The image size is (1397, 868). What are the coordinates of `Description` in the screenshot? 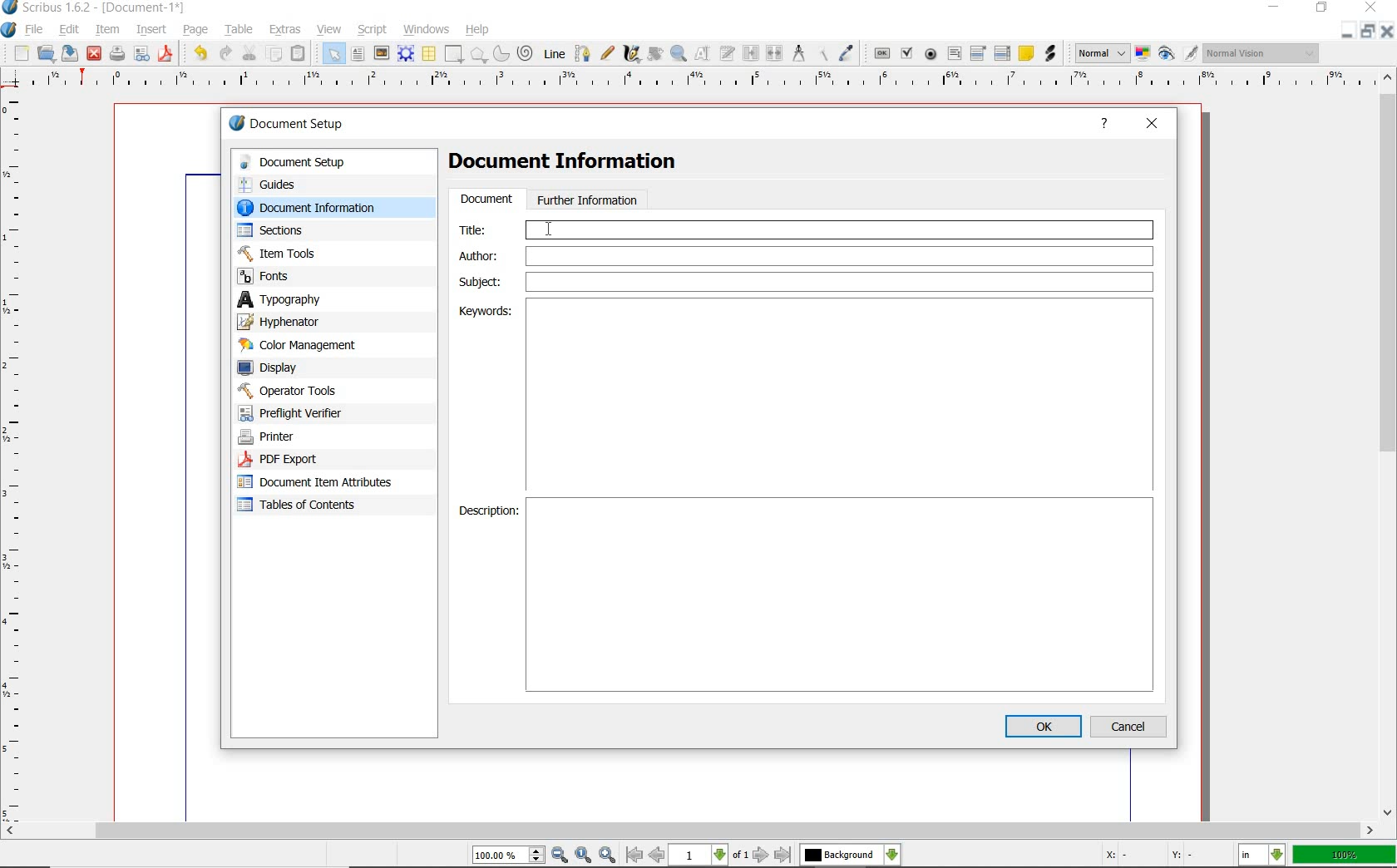 It's located at (486, 511).